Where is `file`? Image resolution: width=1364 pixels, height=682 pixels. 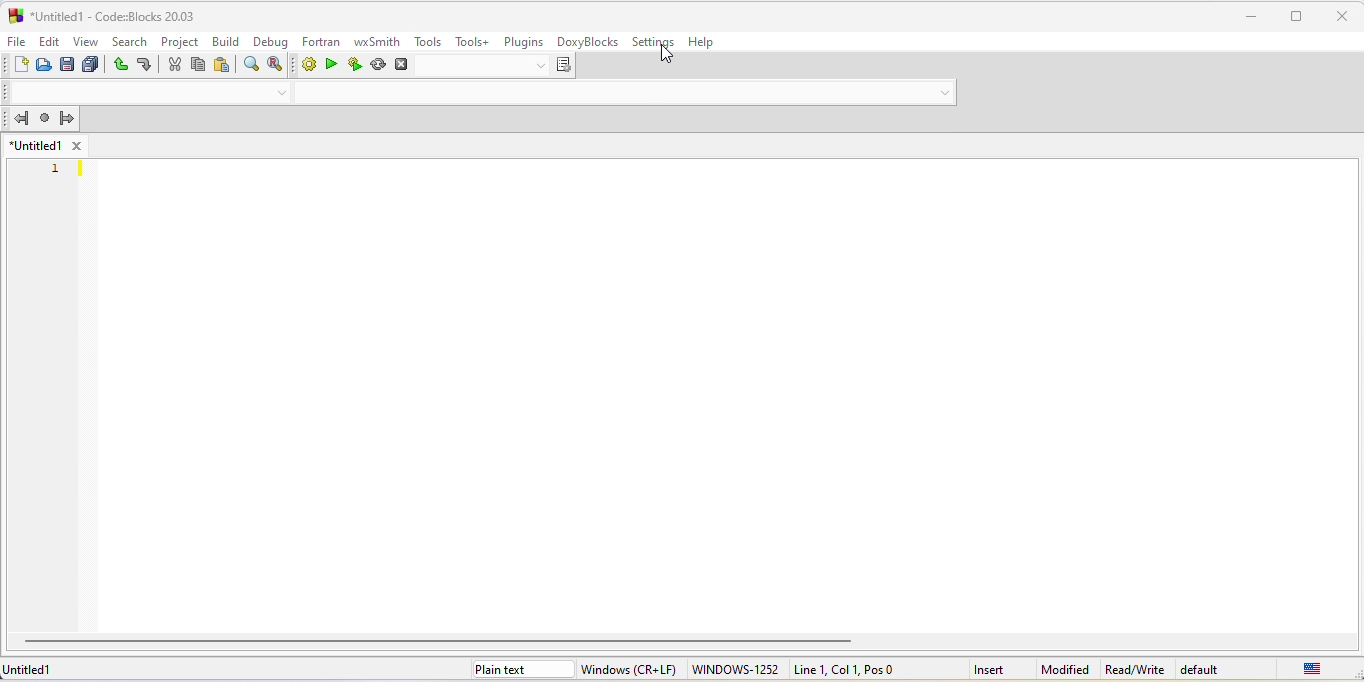
file is located at coordinates (14, 41).